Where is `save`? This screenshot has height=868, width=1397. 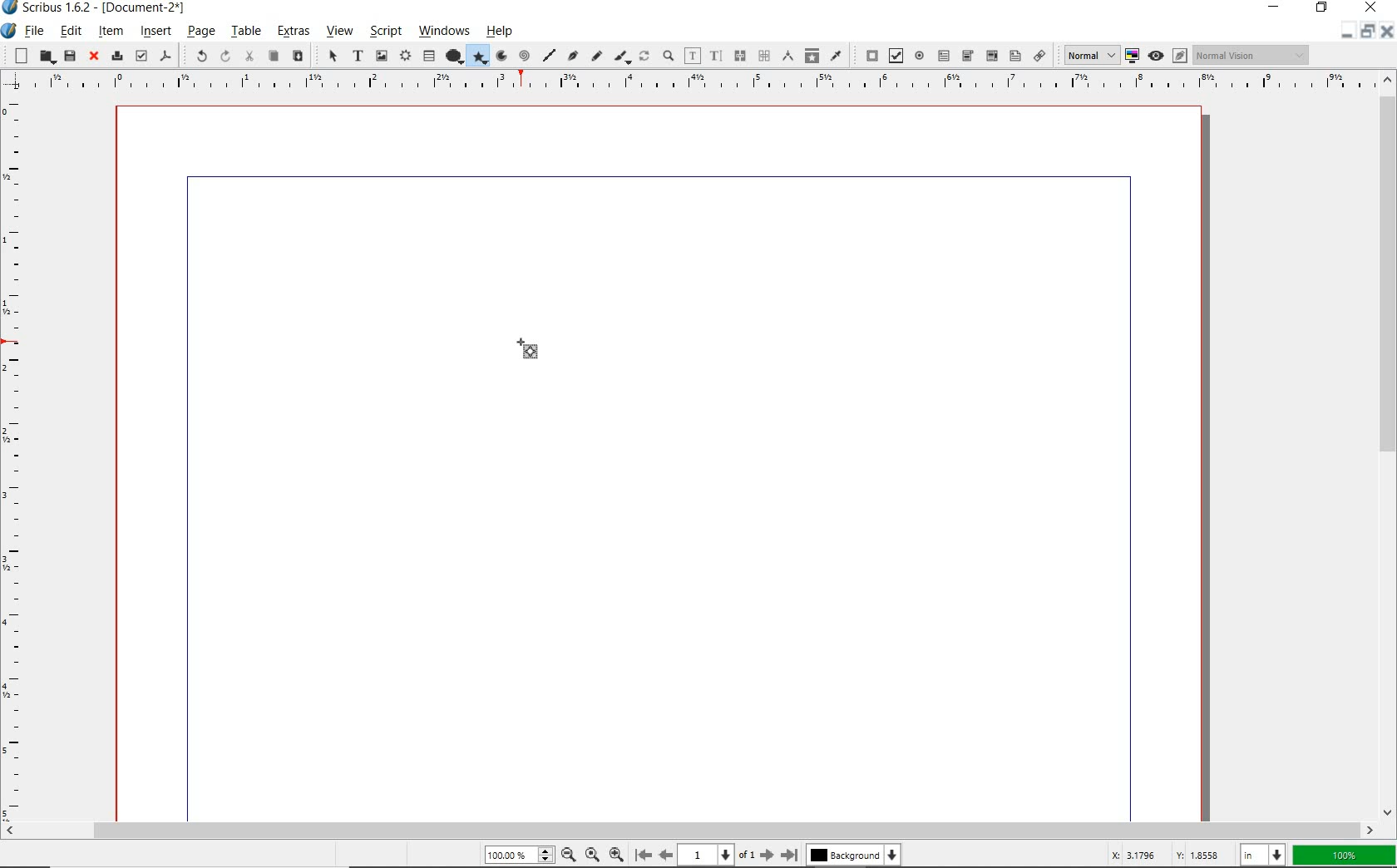
save is located at coordinates (69, 55).